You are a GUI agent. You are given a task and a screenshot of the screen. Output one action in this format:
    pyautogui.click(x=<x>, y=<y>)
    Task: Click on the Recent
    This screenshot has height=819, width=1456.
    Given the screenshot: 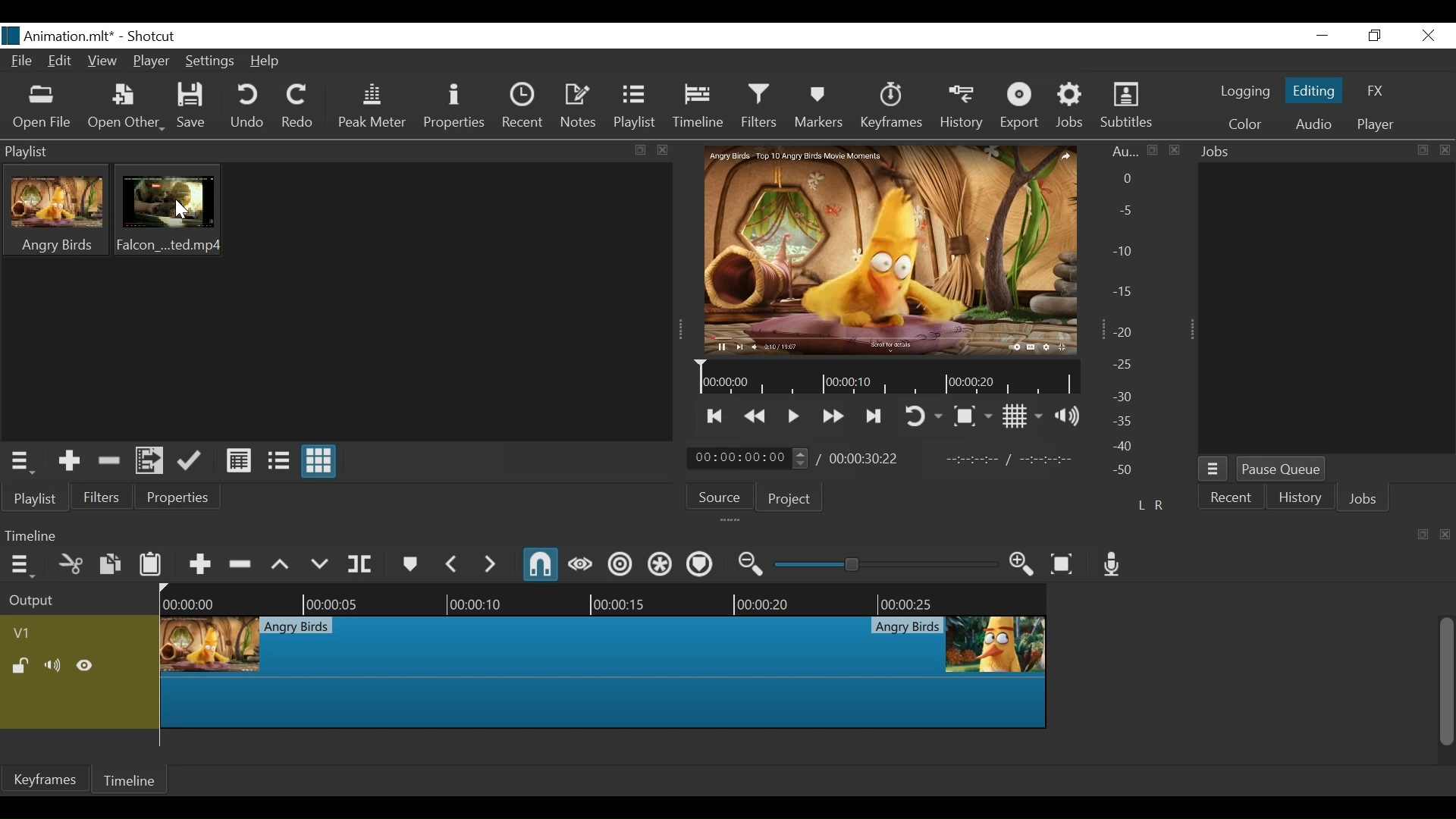 What is the action you would take?
    pyautogui.click(x=1231, y=497)
    